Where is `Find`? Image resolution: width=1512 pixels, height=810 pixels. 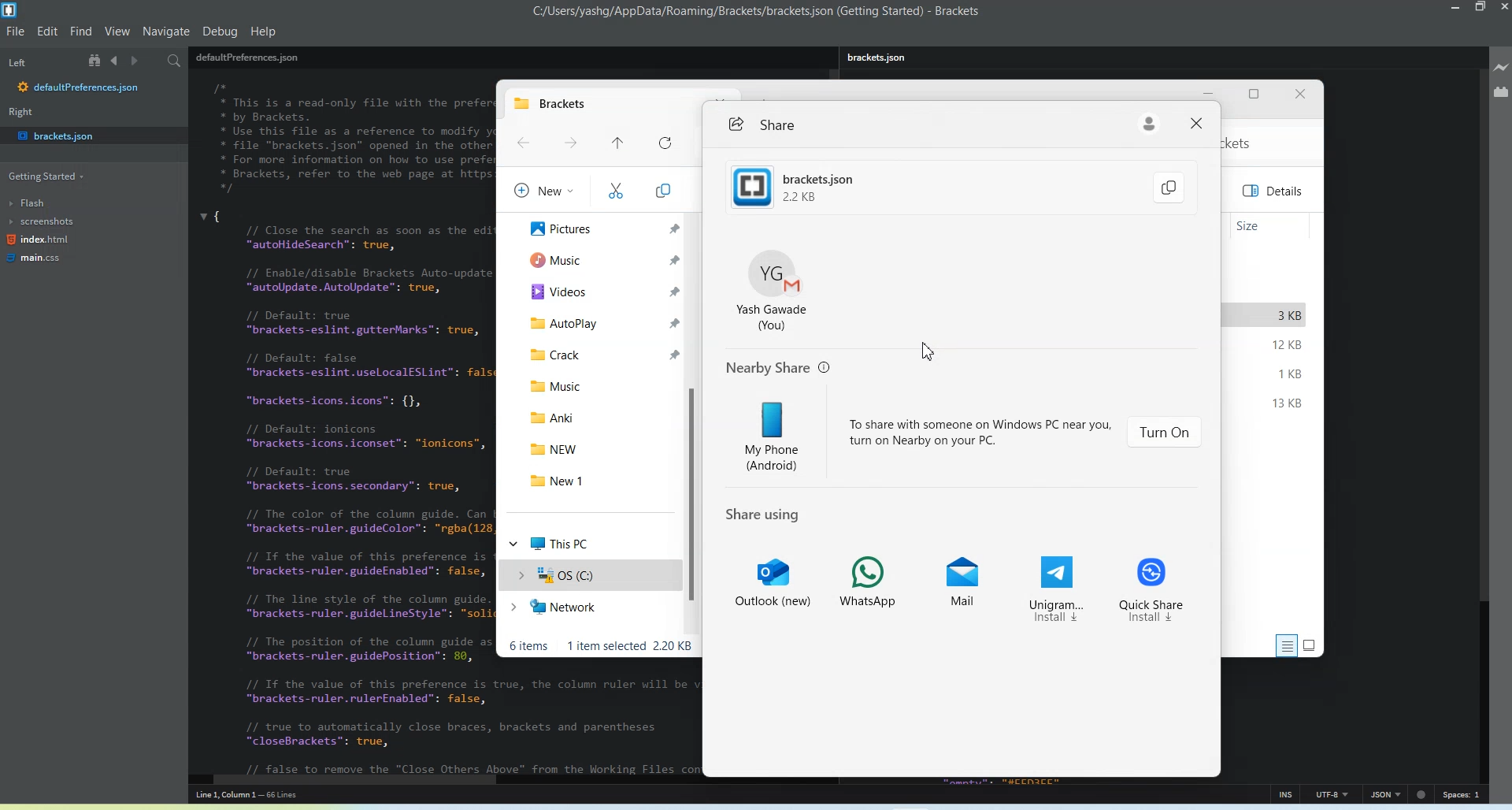 Find is located at coordinates (82, 32).